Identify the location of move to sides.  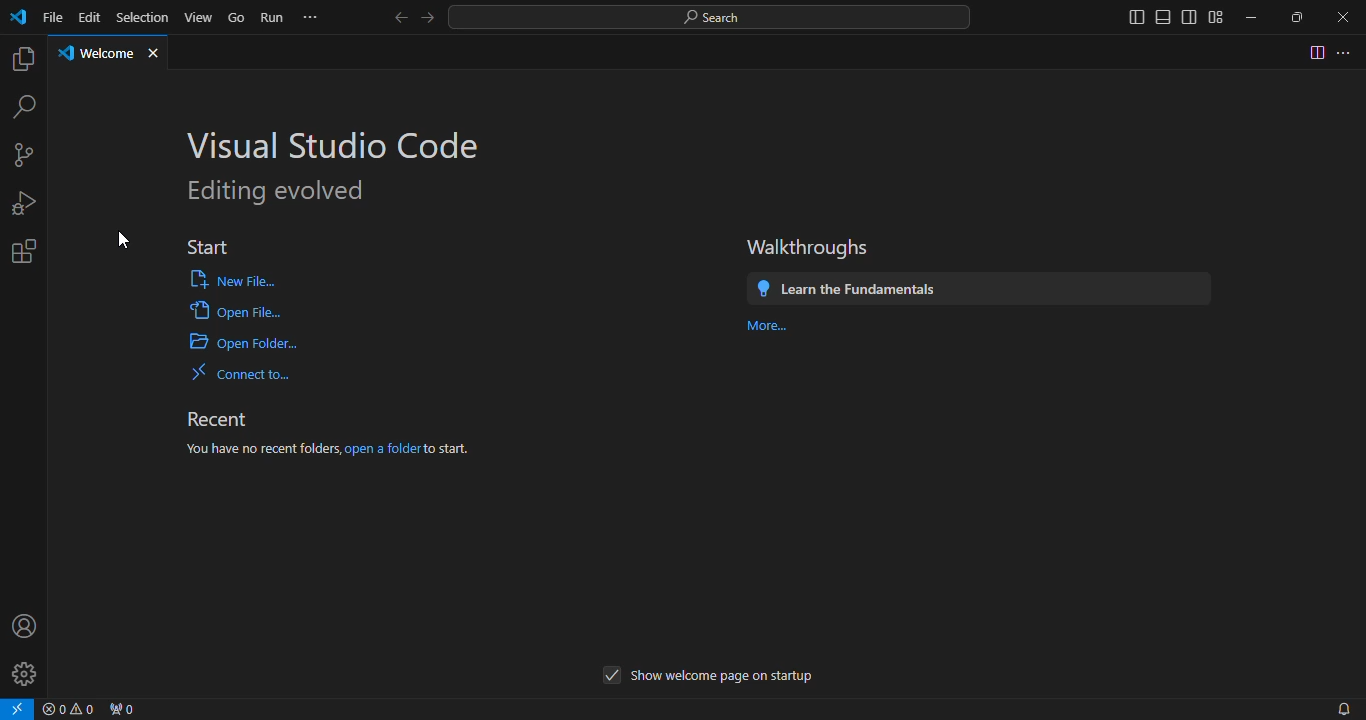
(1168, 16).